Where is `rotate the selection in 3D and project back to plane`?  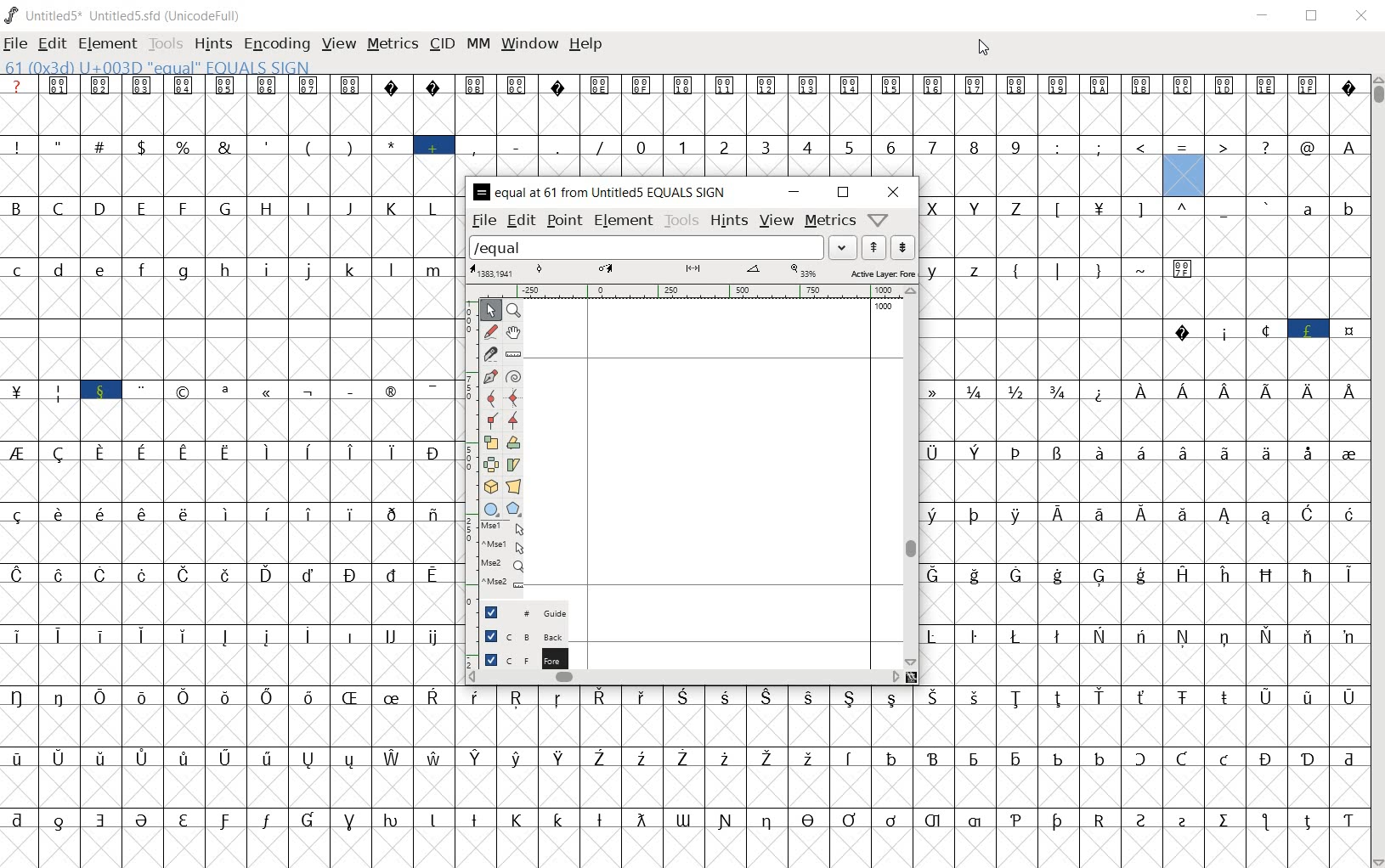
rotate the selection in 3D and project back to plane is located at coordinates (490, 486).